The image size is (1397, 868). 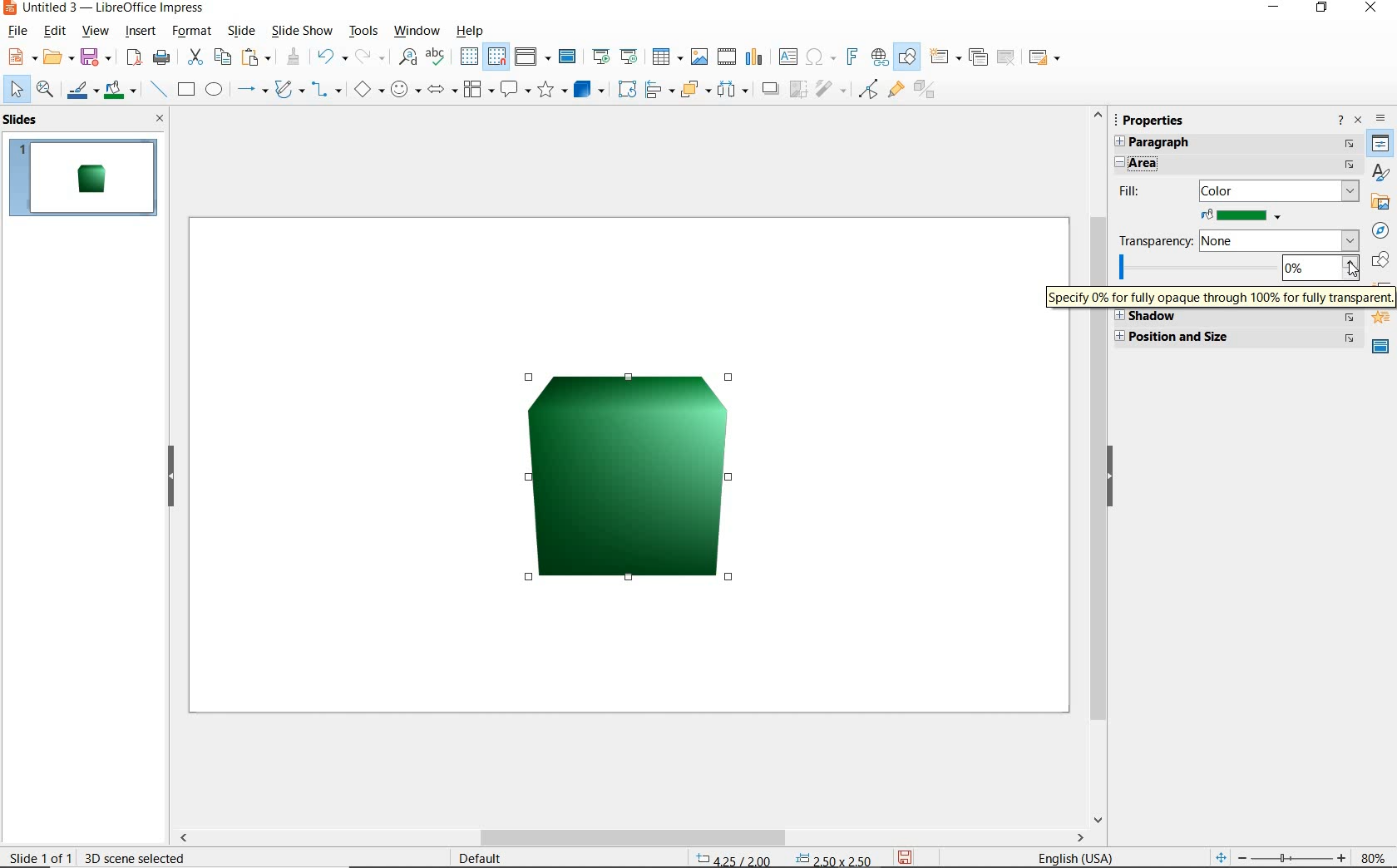 What do you see at coordinates (604, 57) in the screenshot?
I see `start from first slide` at bounding box center [604, 57].